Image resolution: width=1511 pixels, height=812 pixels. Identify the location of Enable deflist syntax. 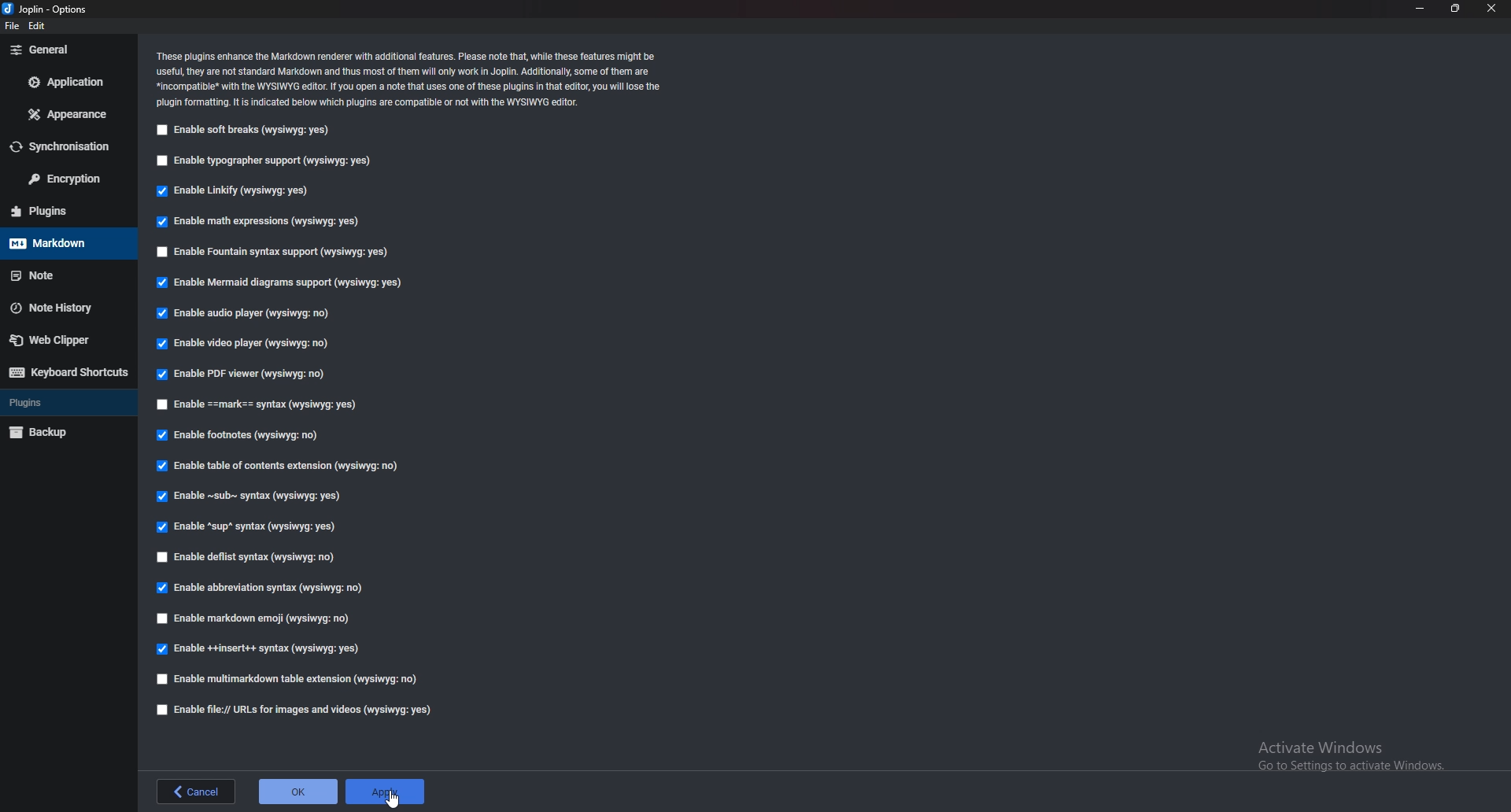
(248, 556).